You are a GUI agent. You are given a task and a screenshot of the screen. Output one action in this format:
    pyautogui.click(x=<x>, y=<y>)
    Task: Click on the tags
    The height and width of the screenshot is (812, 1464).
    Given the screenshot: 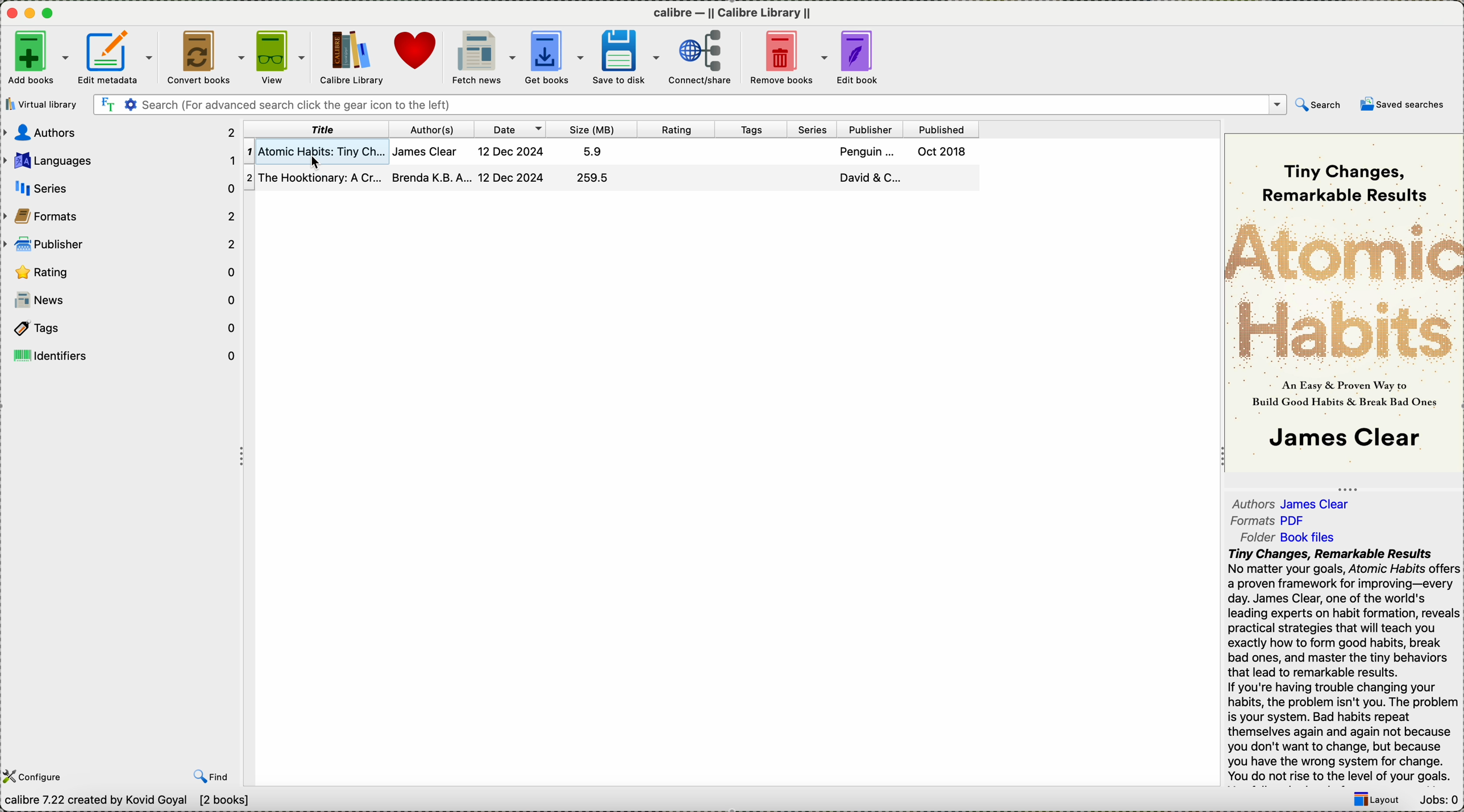 What is the action you would take?
    pyautogui.click(x=120, y=327)
    